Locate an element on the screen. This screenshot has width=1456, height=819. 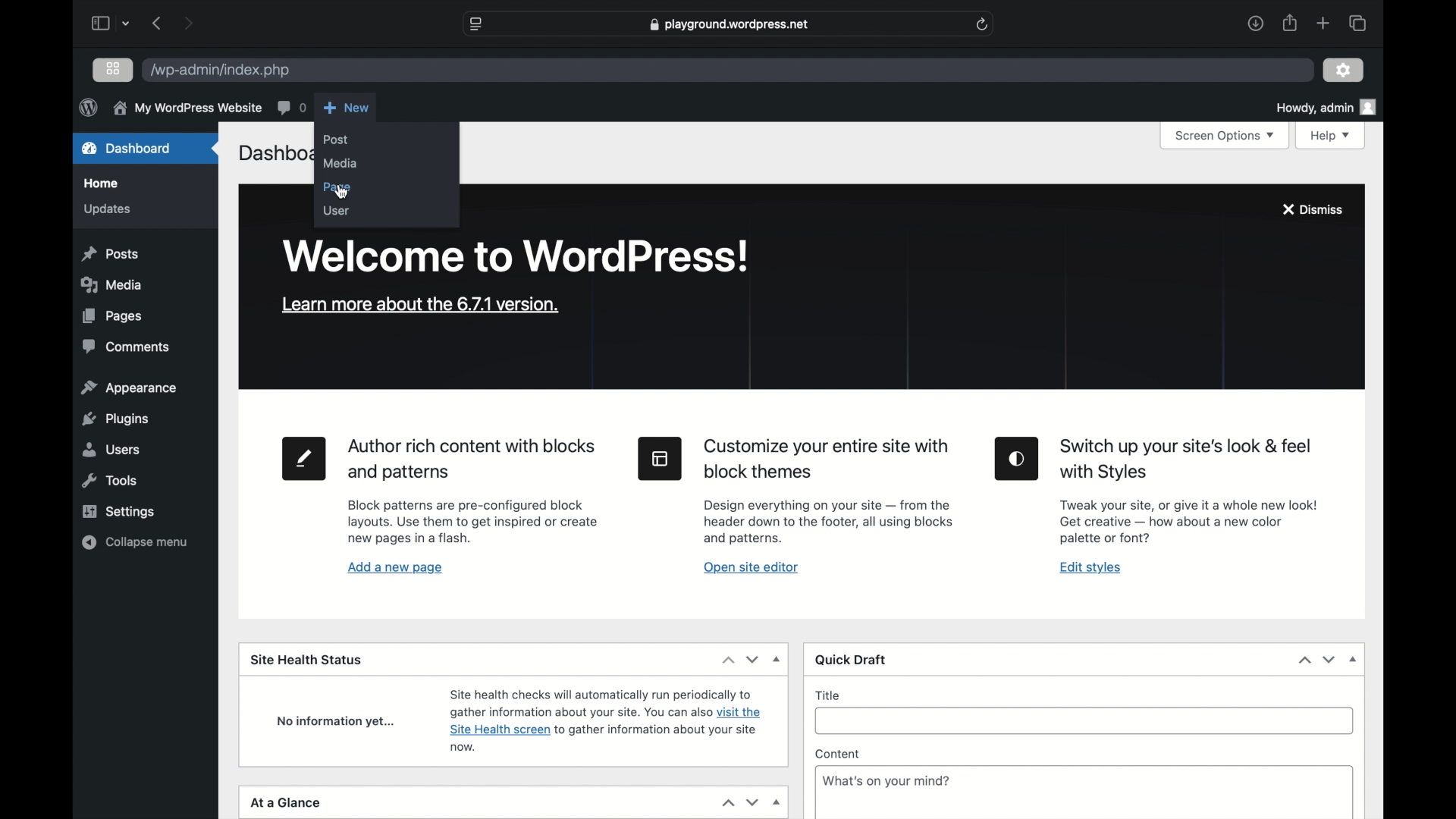
cursor is located at coordinates (340, 193).